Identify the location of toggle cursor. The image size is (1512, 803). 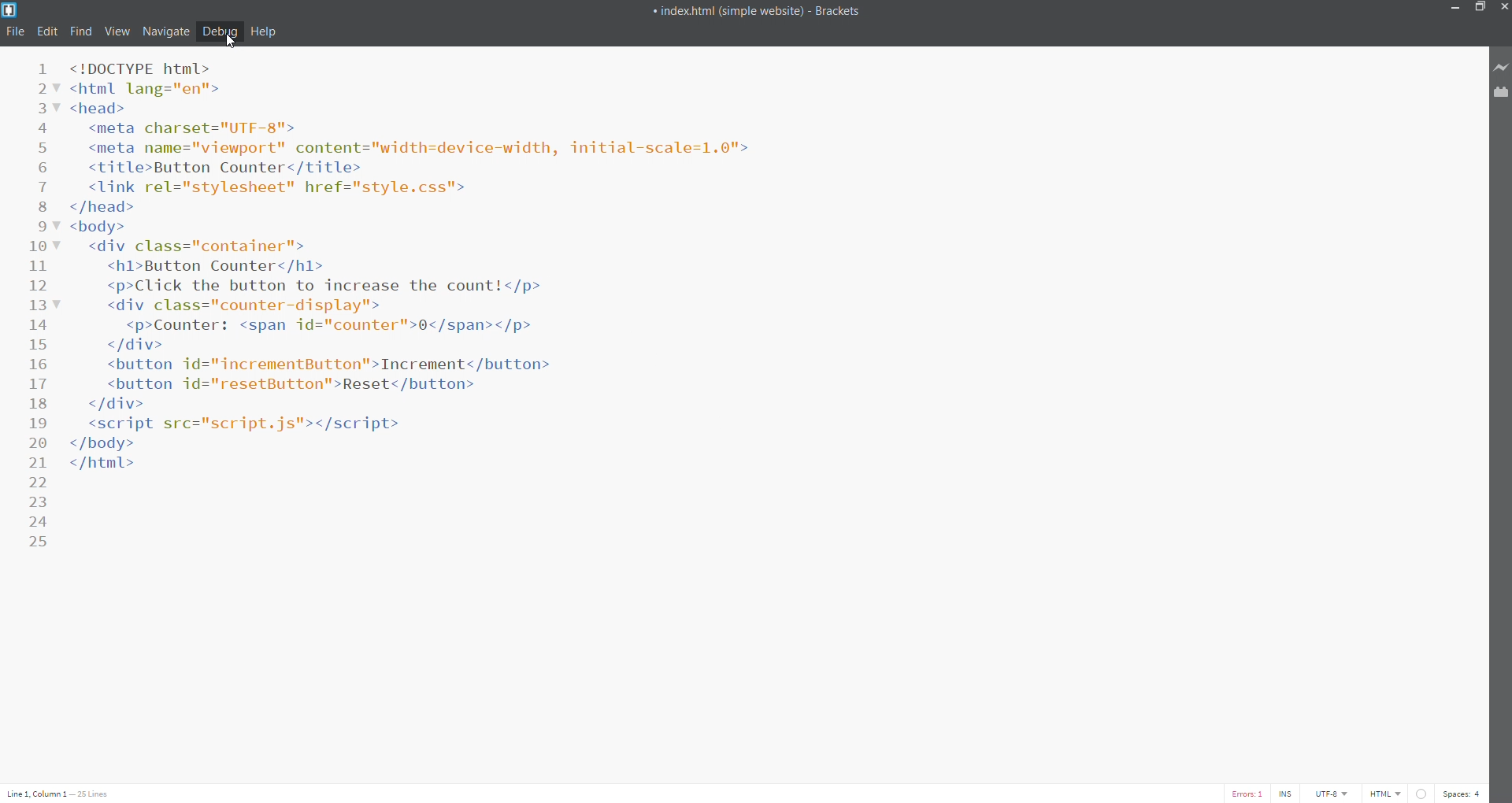
(1288, 794).